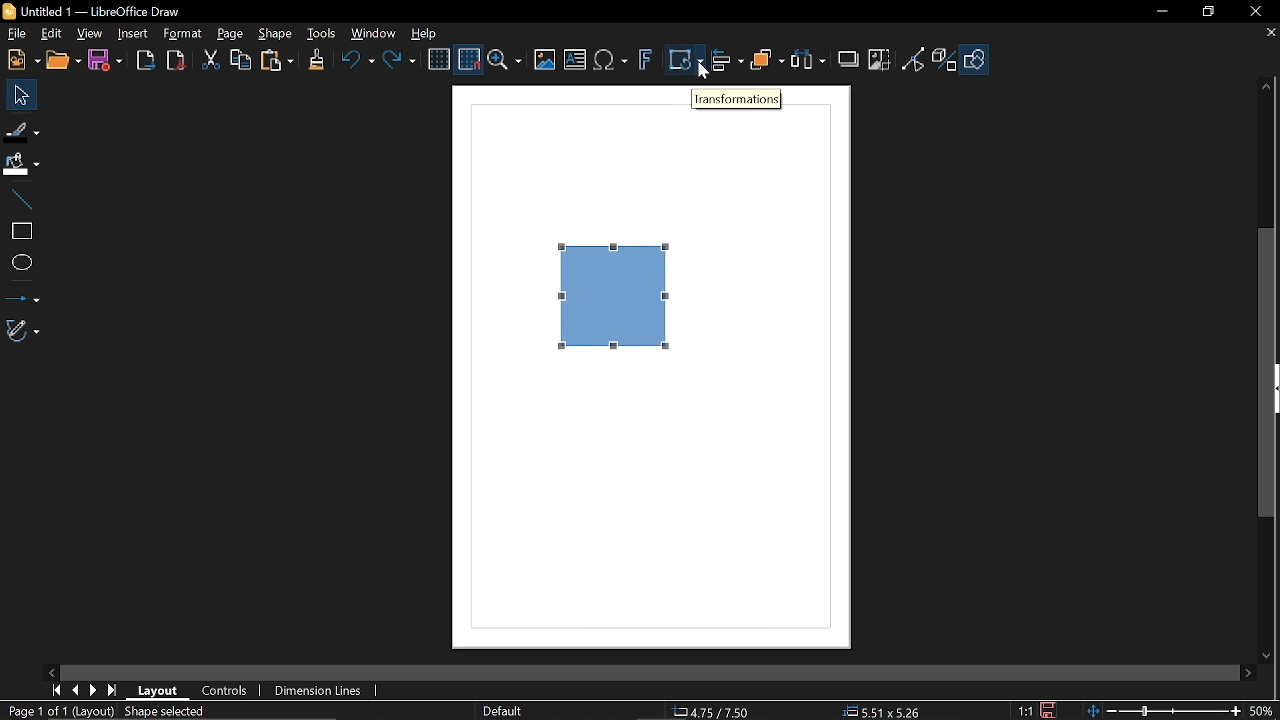  I want to click on Redo, so click(398, 62).